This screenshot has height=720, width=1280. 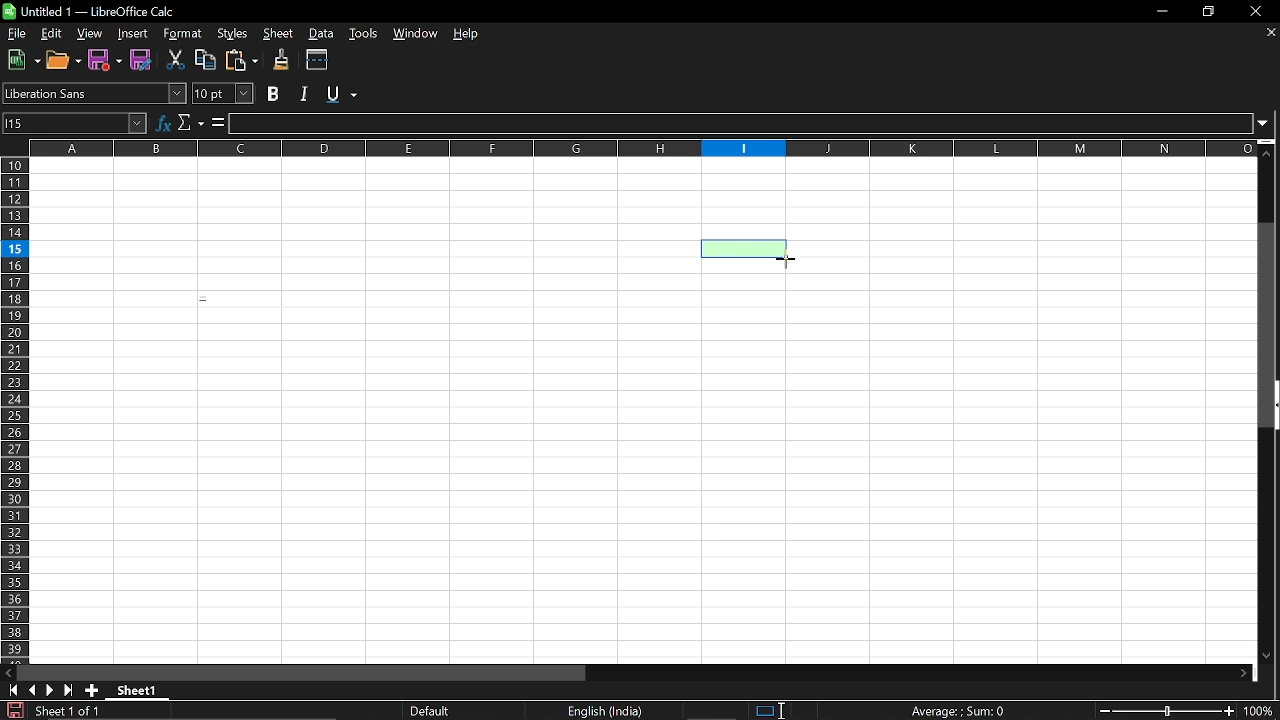 What do you see at coordinates (323, 34) in the screenshot?
I see `Data` at bounding box center [323, 34].